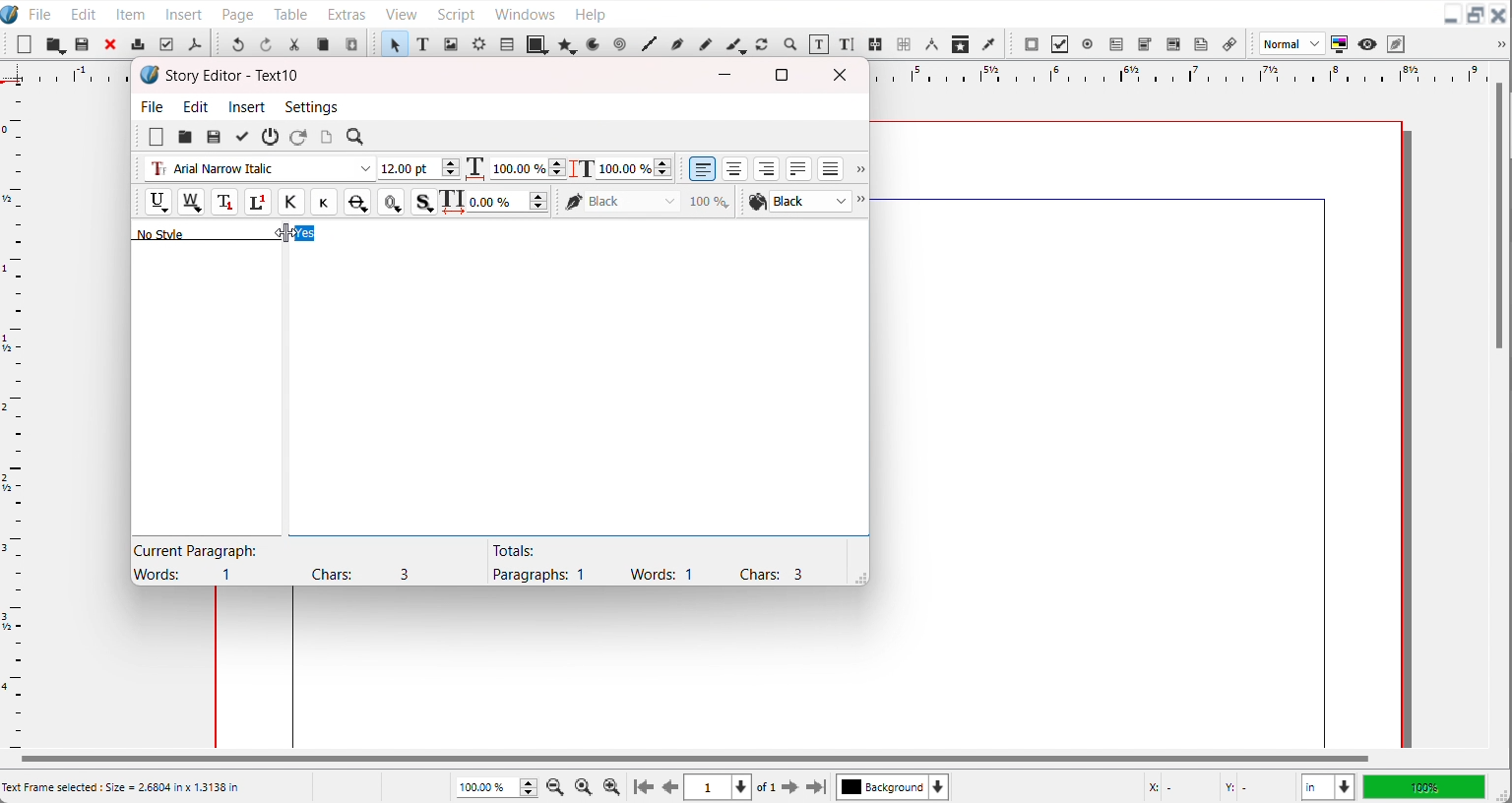  What do you see at coordinates (258, 169) in the screenshot?
I see `Font type` at bounding box center [258, 169].